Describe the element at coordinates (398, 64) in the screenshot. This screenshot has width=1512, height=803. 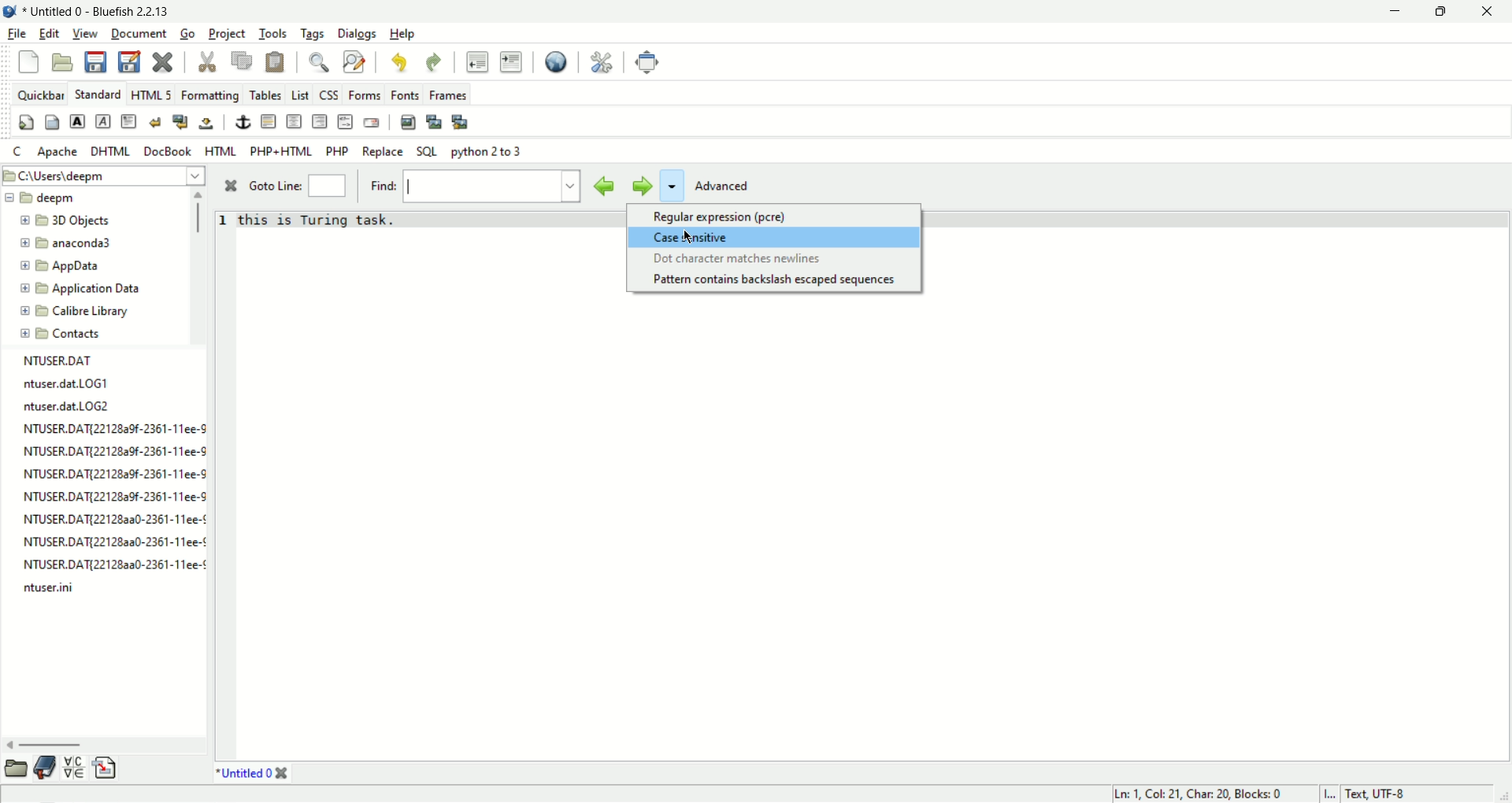
I see `undo` at that location.